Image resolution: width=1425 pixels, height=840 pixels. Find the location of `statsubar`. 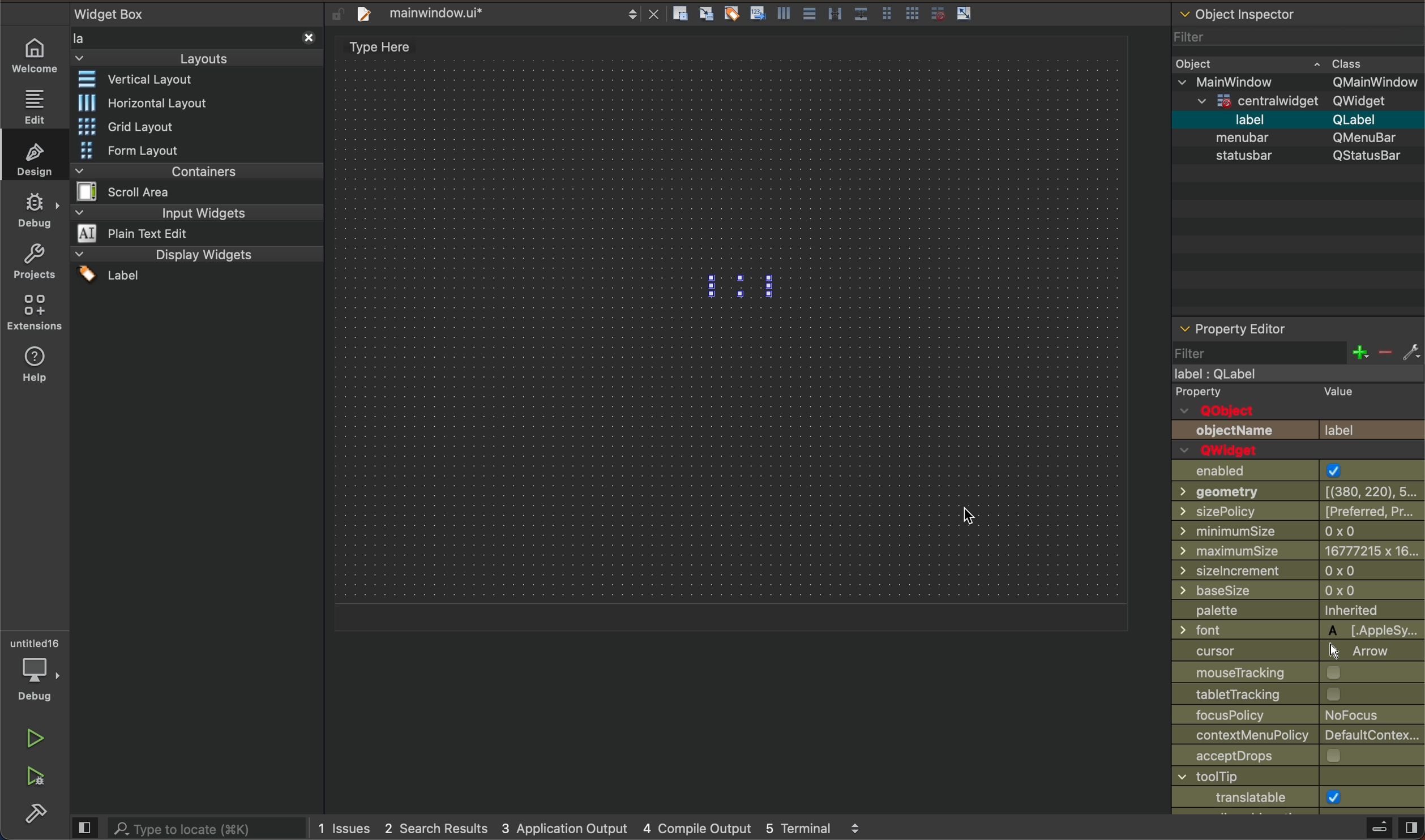

statsubar is located at coordinates (1296, 156).